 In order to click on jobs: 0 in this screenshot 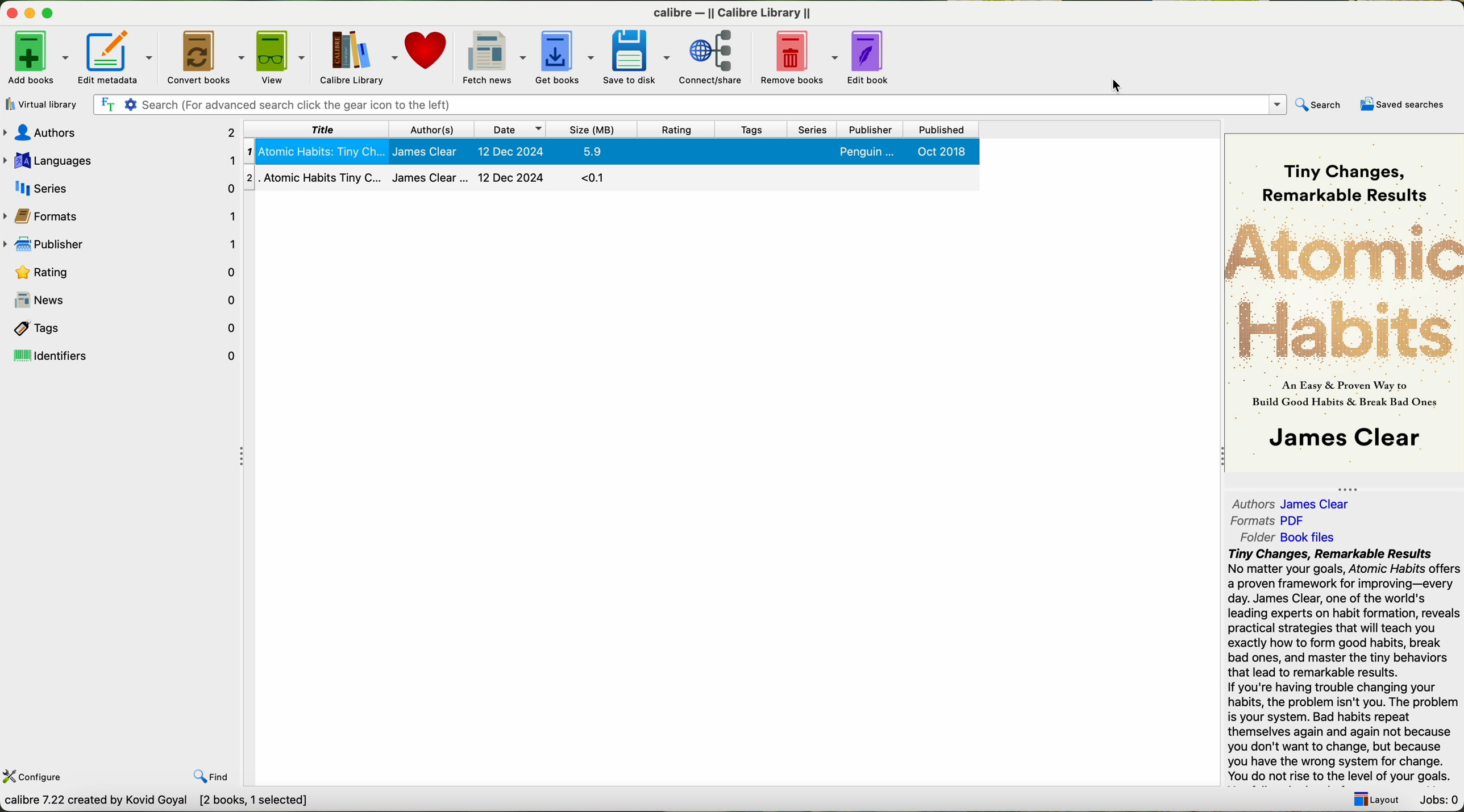, I will do `click(1438, 801)`.